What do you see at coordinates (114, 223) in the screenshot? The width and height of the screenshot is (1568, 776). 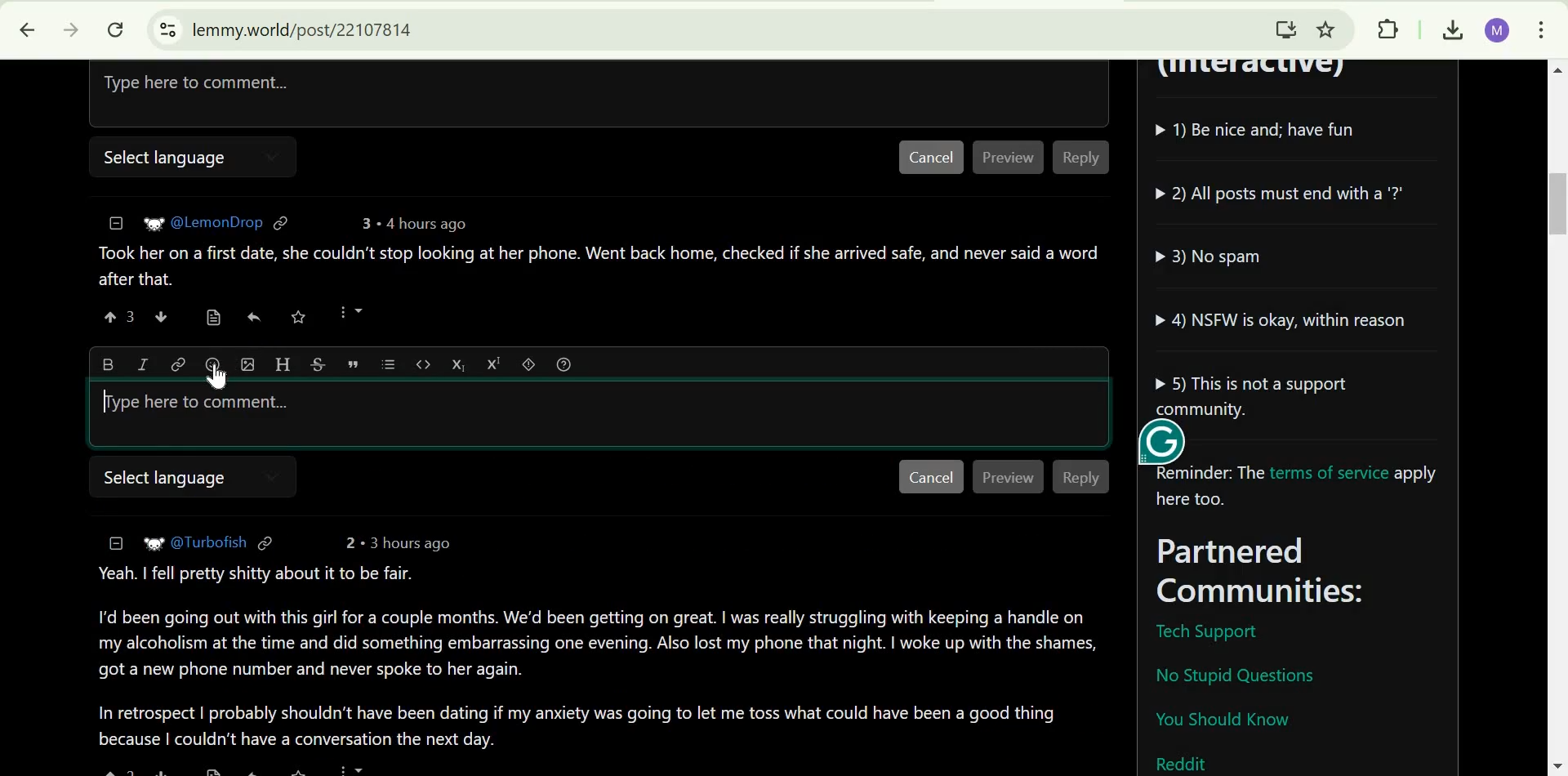 I see `collapse` at bounding box center [114, 223].